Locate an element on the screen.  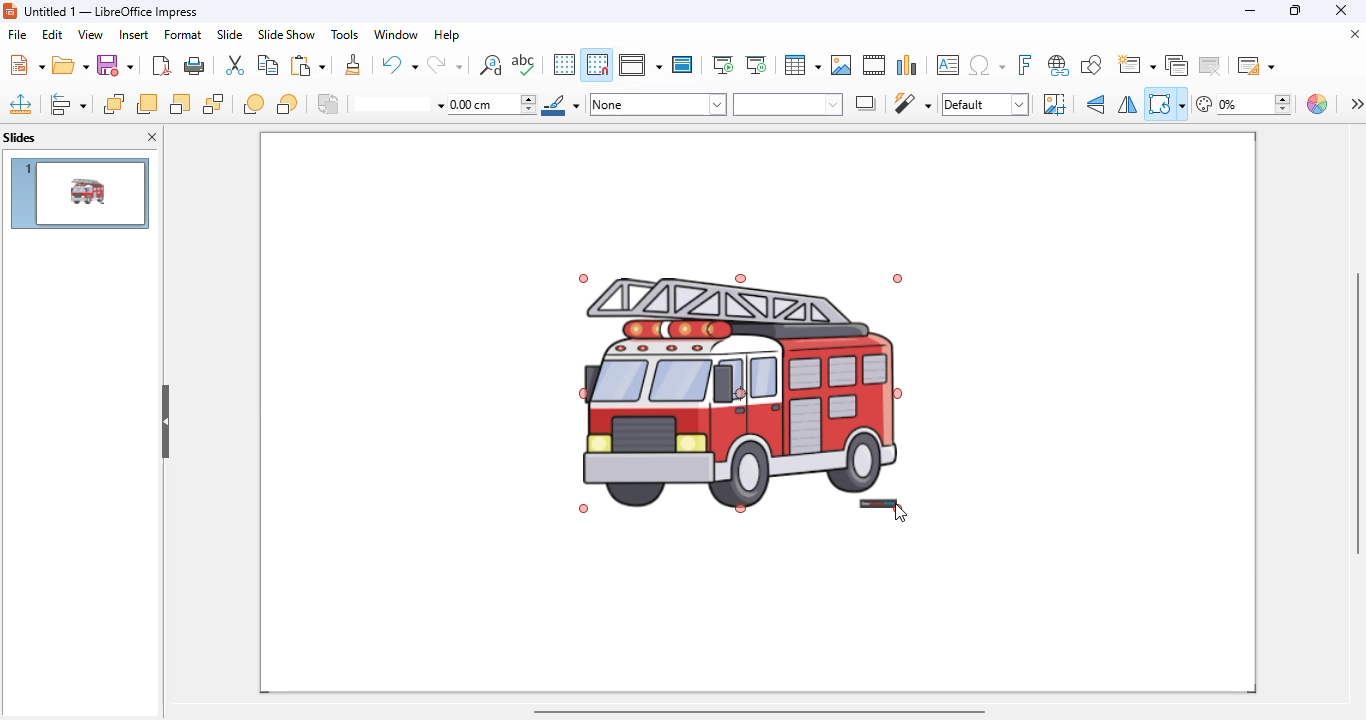
line style is located at coordinates (399, 105).